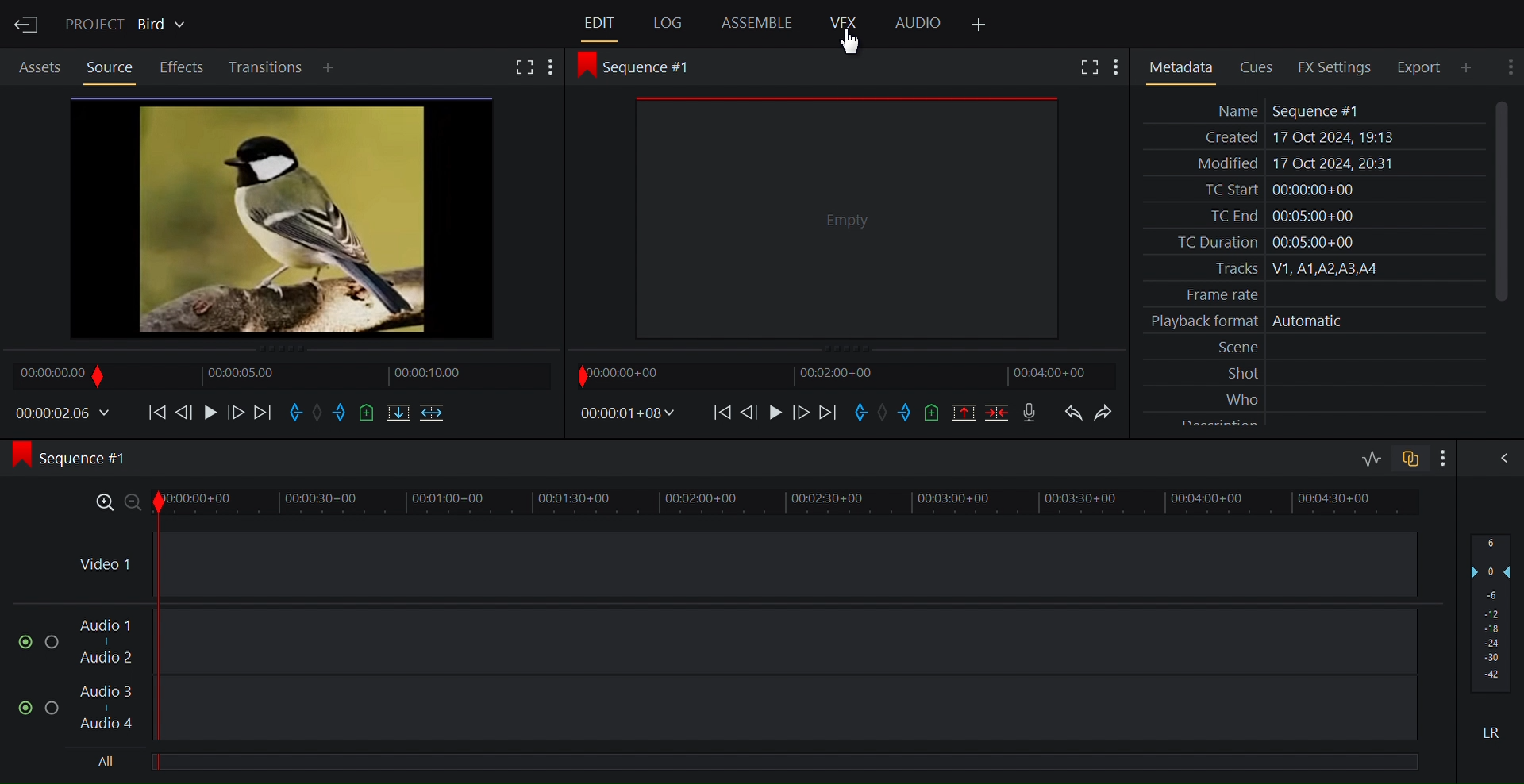 This screenshot has width=1524, height=784. I want to click on Timecodes and reels, so click(635, 414).